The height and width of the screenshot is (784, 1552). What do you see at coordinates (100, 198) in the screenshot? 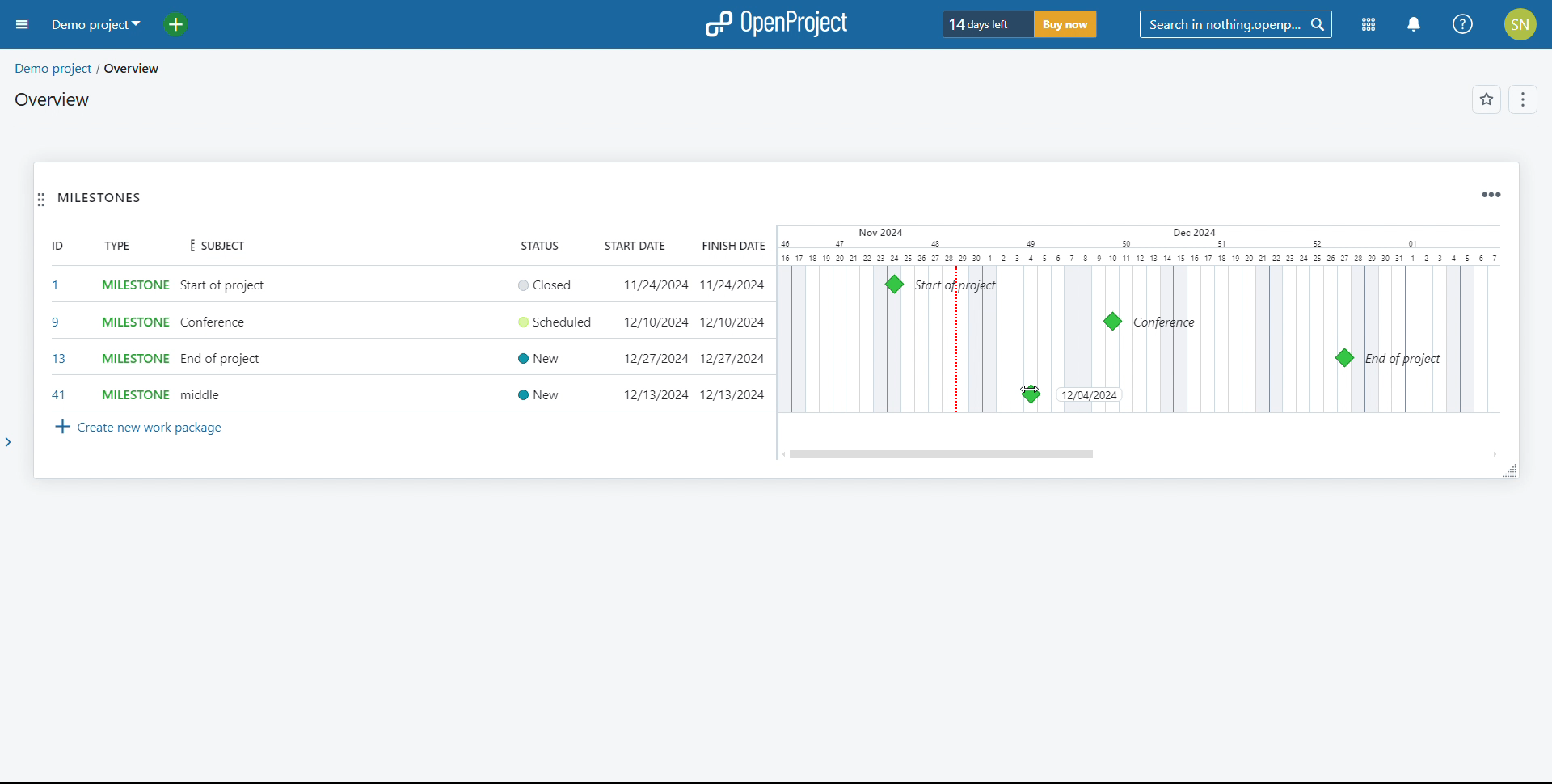
I see `milestones` at bounding box center [100, 198].